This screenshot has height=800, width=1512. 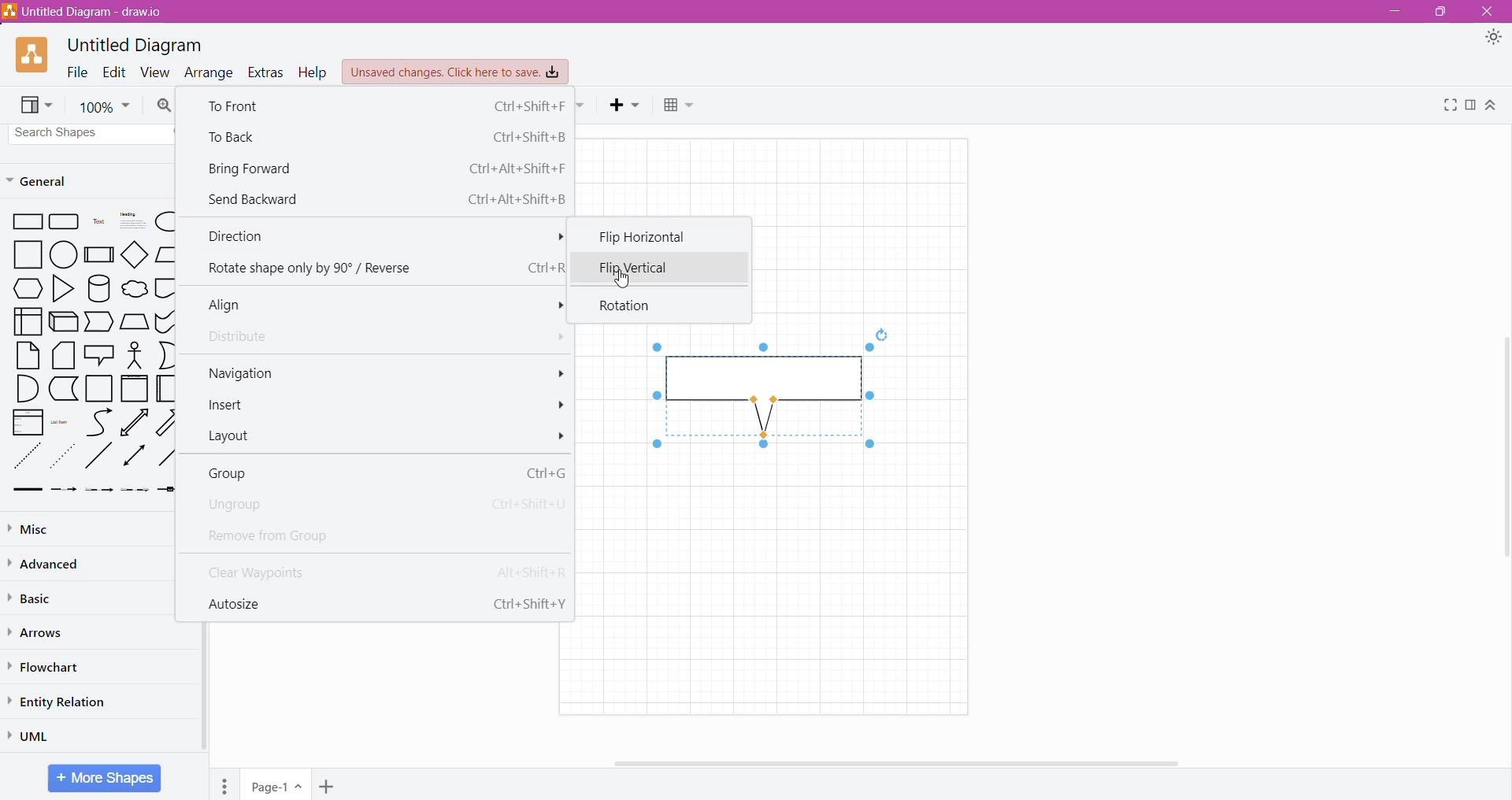 I want to click on Zoom, so click(x=104, y=105).